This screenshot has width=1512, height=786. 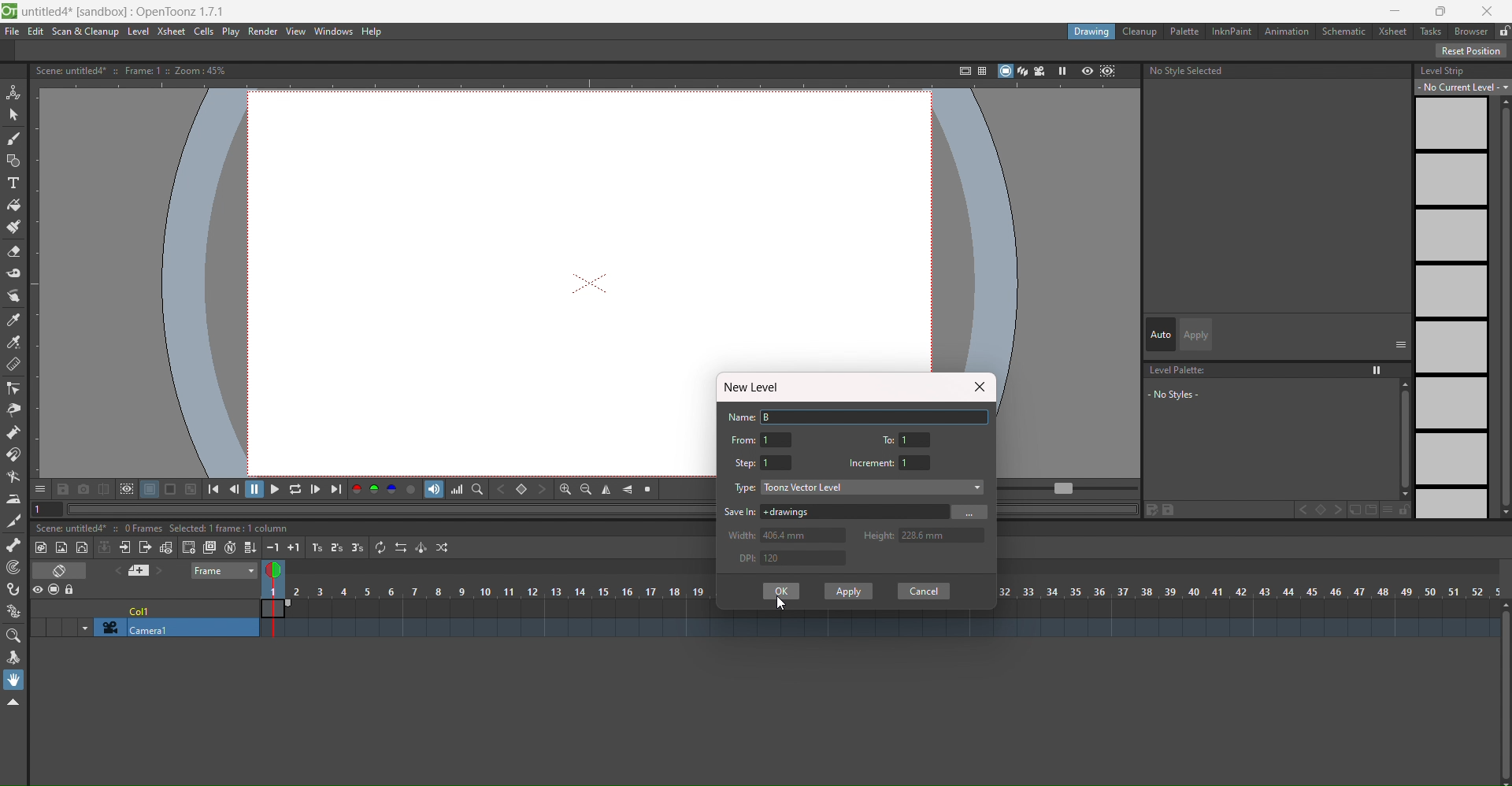 I want to click on cutter tool, so click(x=12, y=522).